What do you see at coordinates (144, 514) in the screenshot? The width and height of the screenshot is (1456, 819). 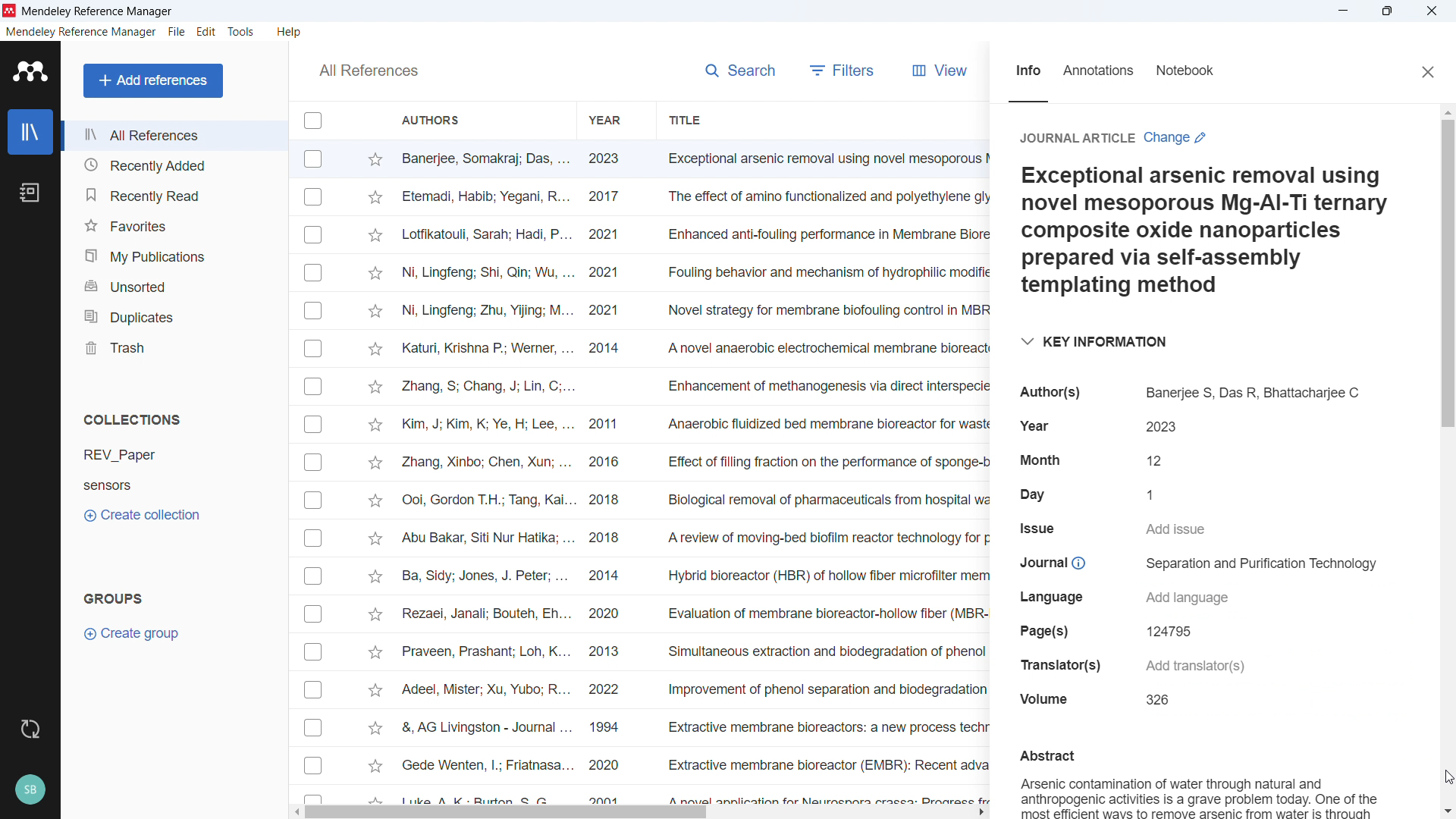 I see `create collection` at bounding box center [144, 514].